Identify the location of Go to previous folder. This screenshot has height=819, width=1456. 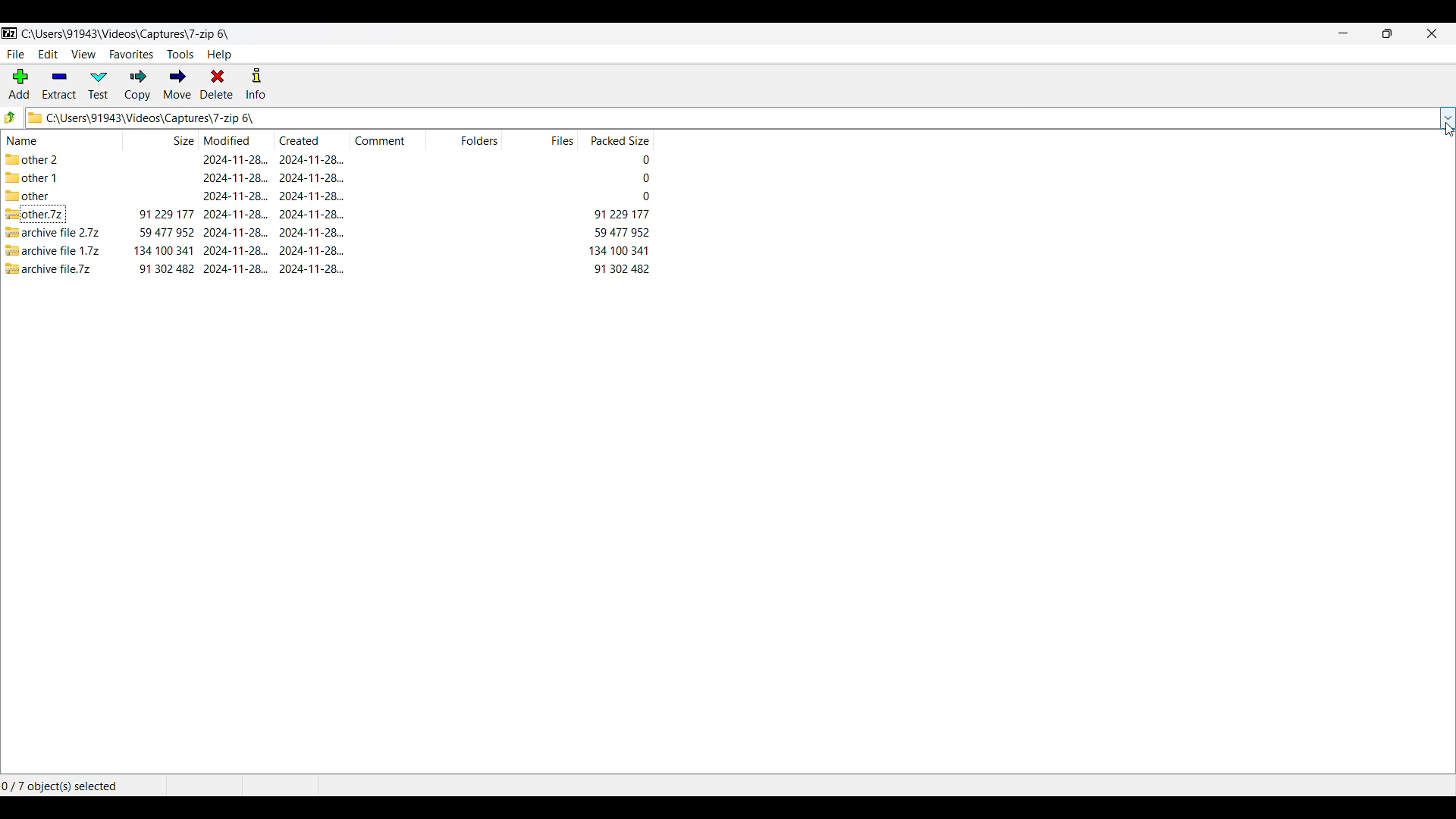
(10, 118).